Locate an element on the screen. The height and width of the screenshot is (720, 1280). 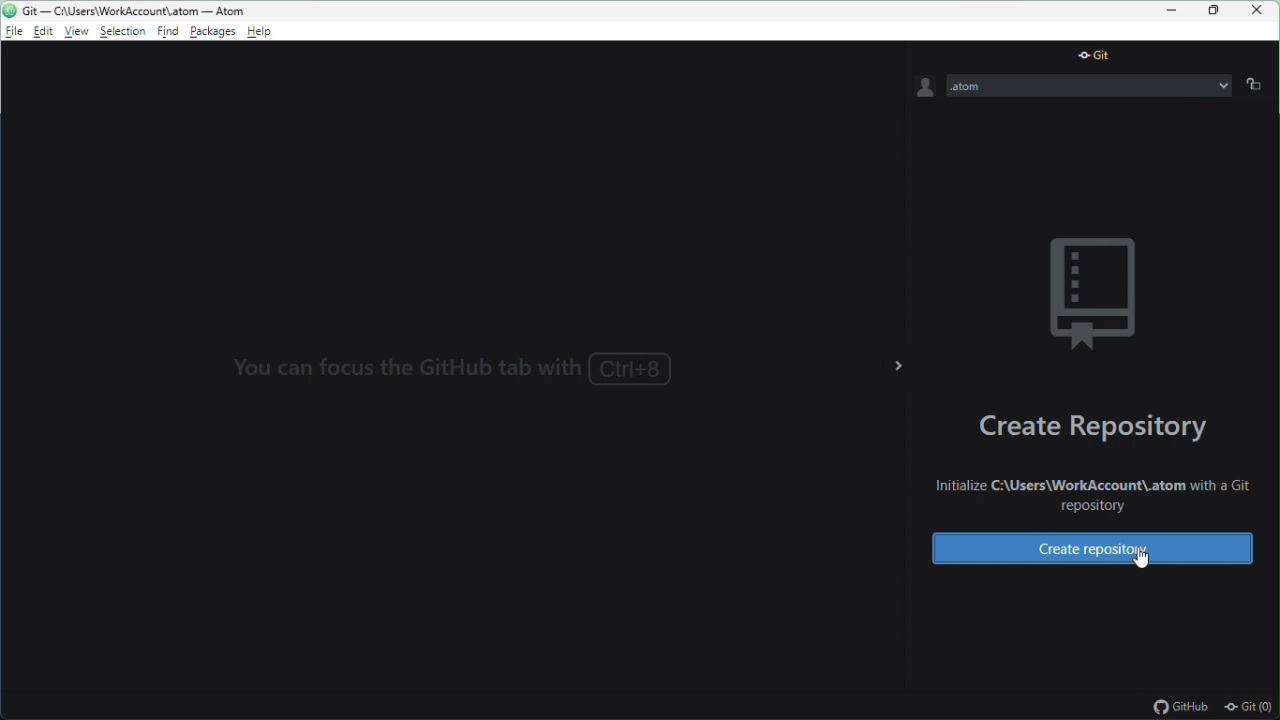
git(0) is located at coordinates (1249, 709).